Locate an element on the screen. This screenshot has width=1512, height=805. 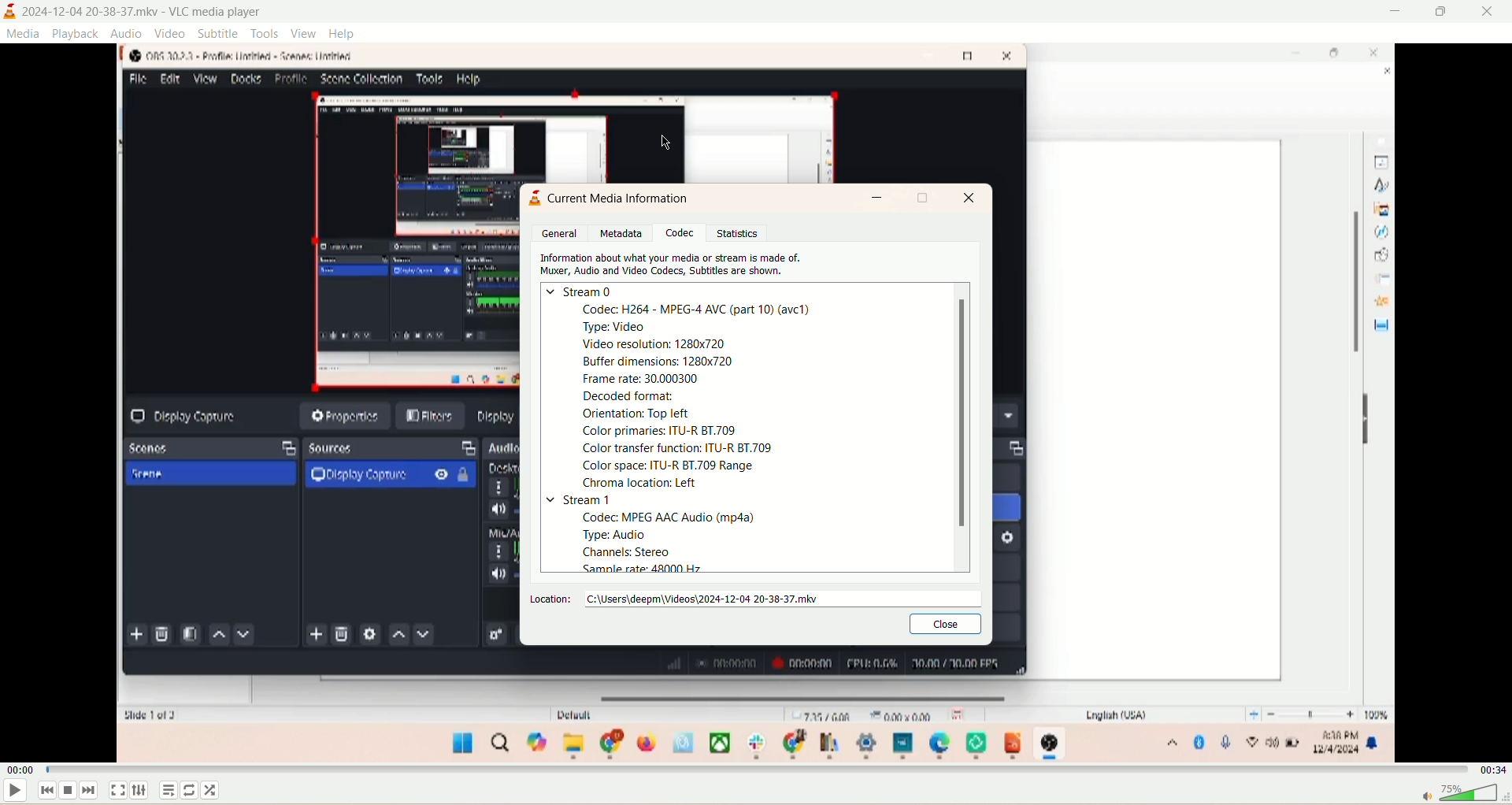
volume bar is located at coordinates (1460, 792).